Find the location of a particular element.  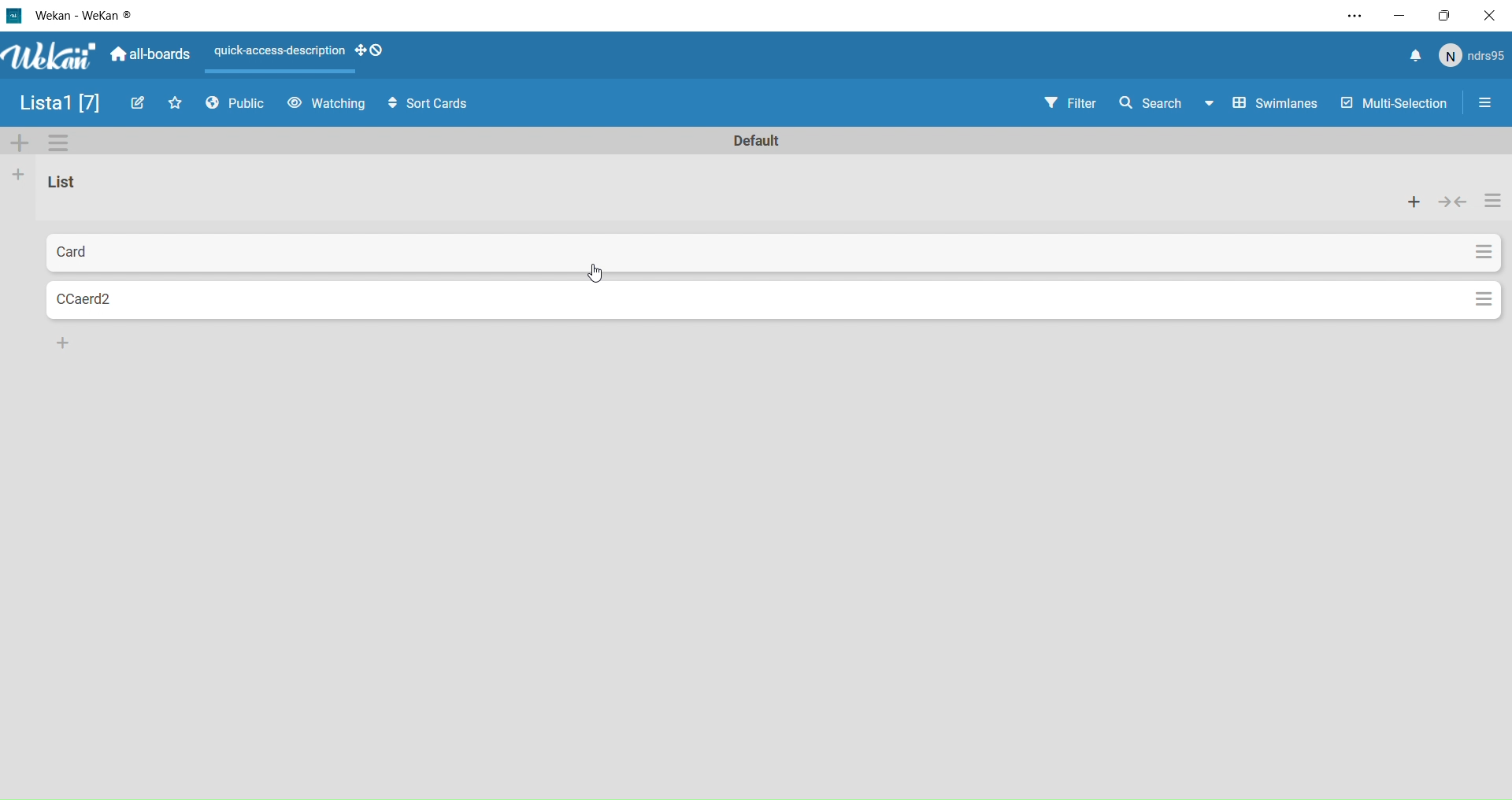

cursor is located at coordinates (597, 274).